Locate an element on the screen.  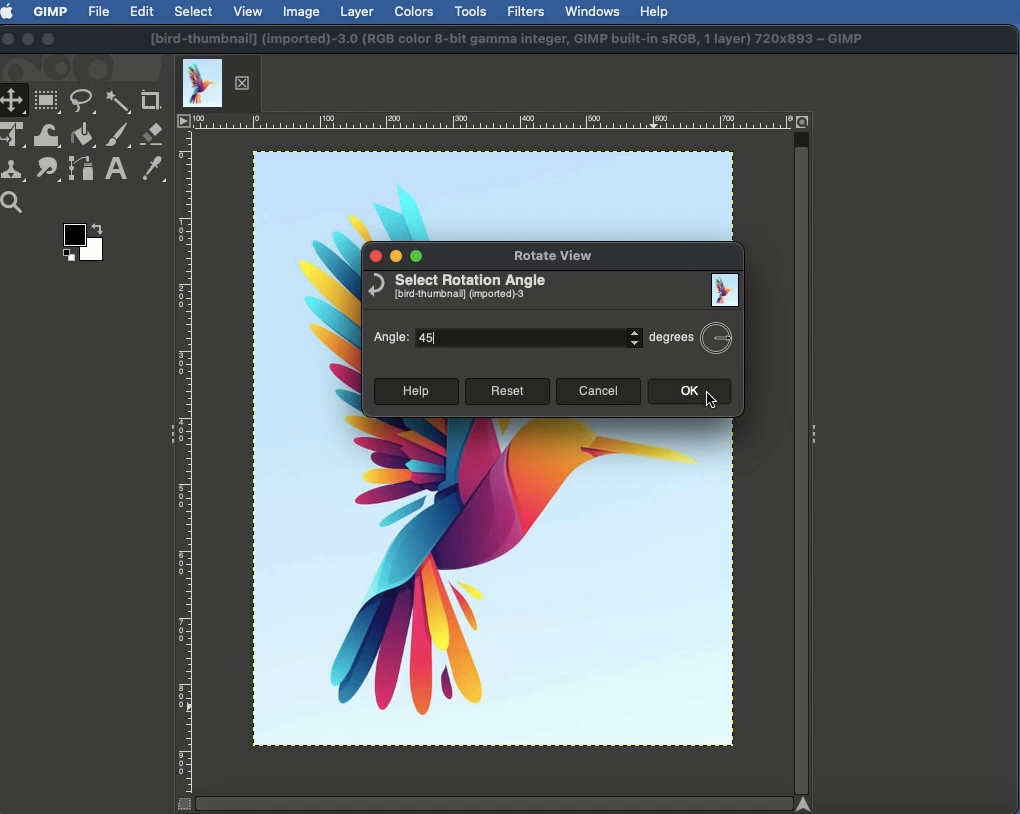
Fill color is located at coordinates (81, 137).